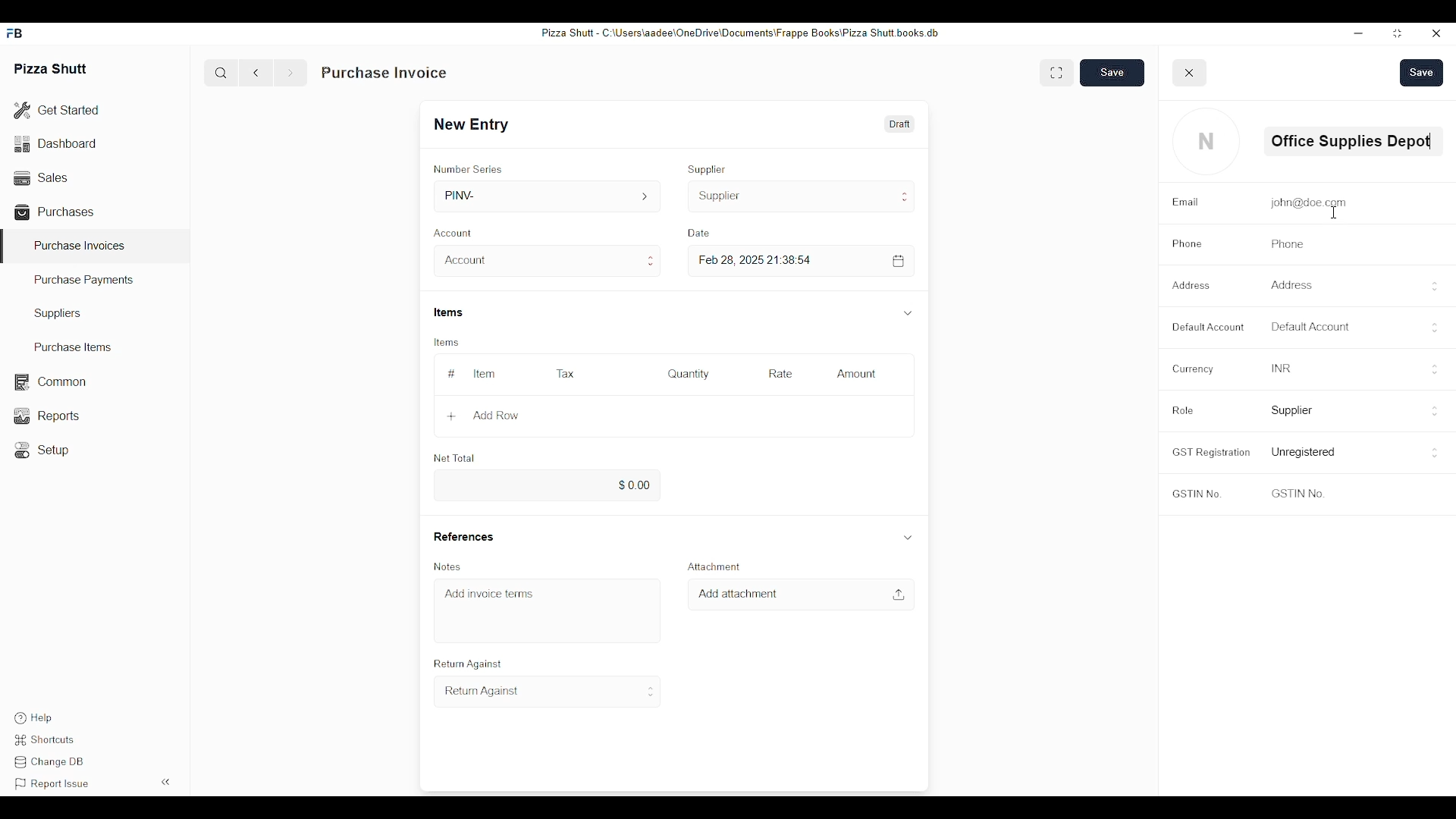 This screenshot has width=1456, height=819. Describe the element at coordinates (1310, 326) in the screenshot. I see `Default Account` at that location.